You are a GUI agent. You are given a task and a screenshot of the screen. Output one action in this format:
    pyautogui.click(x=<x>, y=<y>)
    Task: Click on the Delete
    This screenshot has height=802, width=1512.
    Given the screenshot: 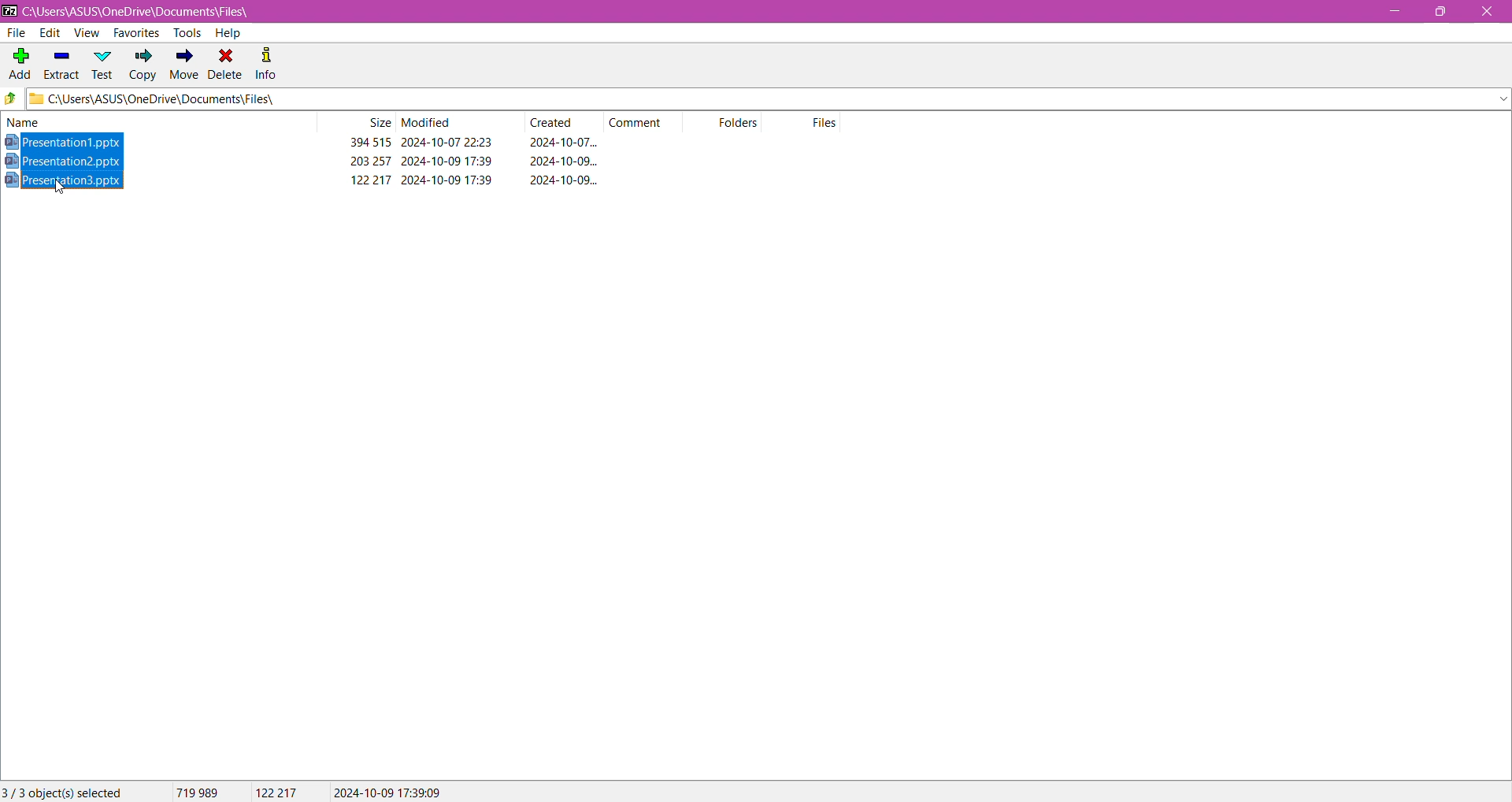 What is the action you would take?
    pyautogui.click(x=226, y=63)
    